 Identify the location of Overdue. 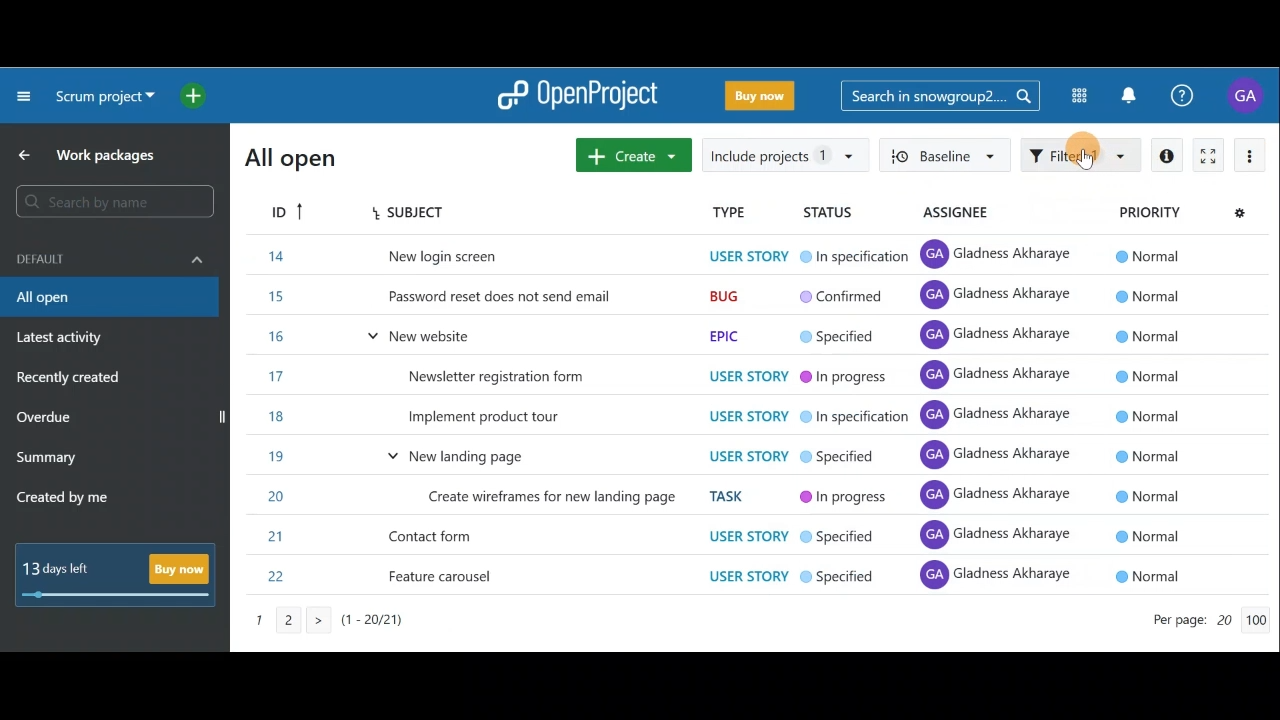
(46, 419).